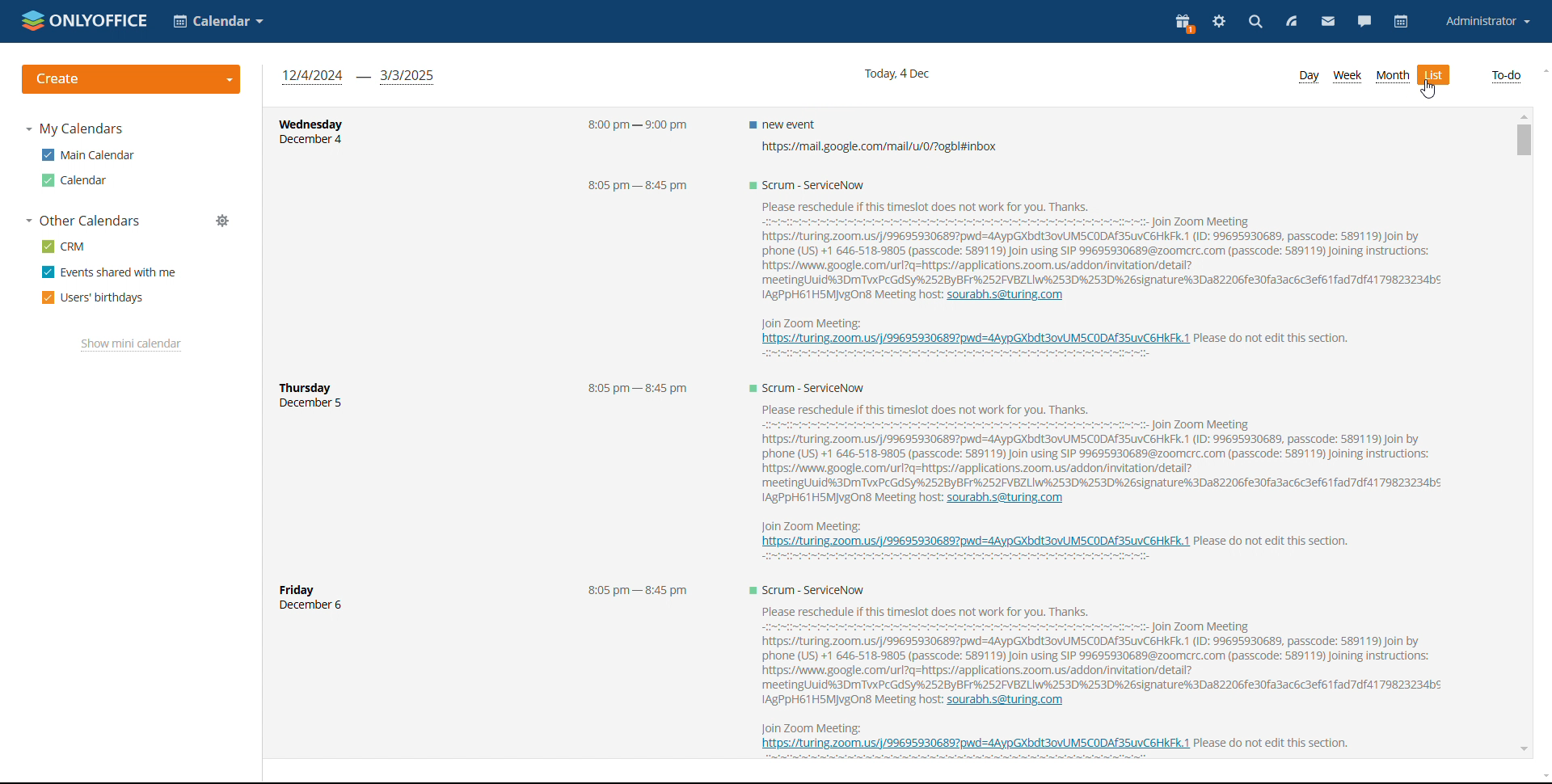 This screenshot has width=1552, height=784. I want to click on 8:05 pm—8:45 pm, so click(637, 188).